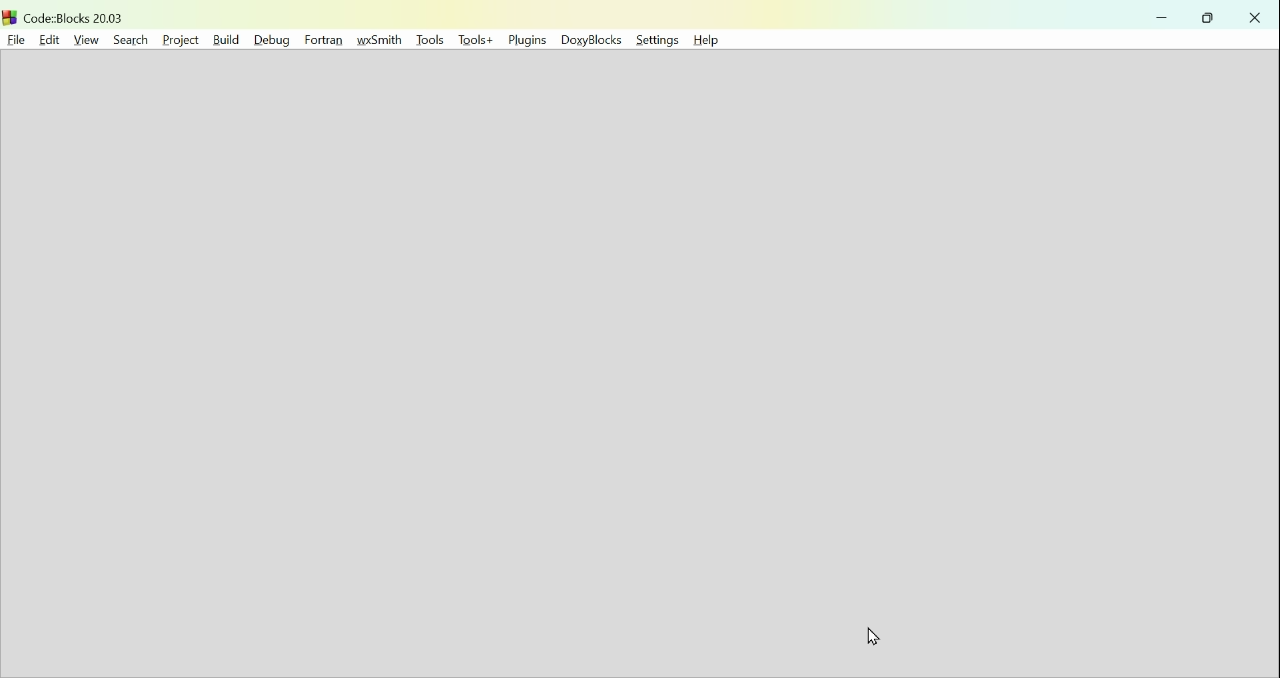  I want to click on Project, so click(179, 39).